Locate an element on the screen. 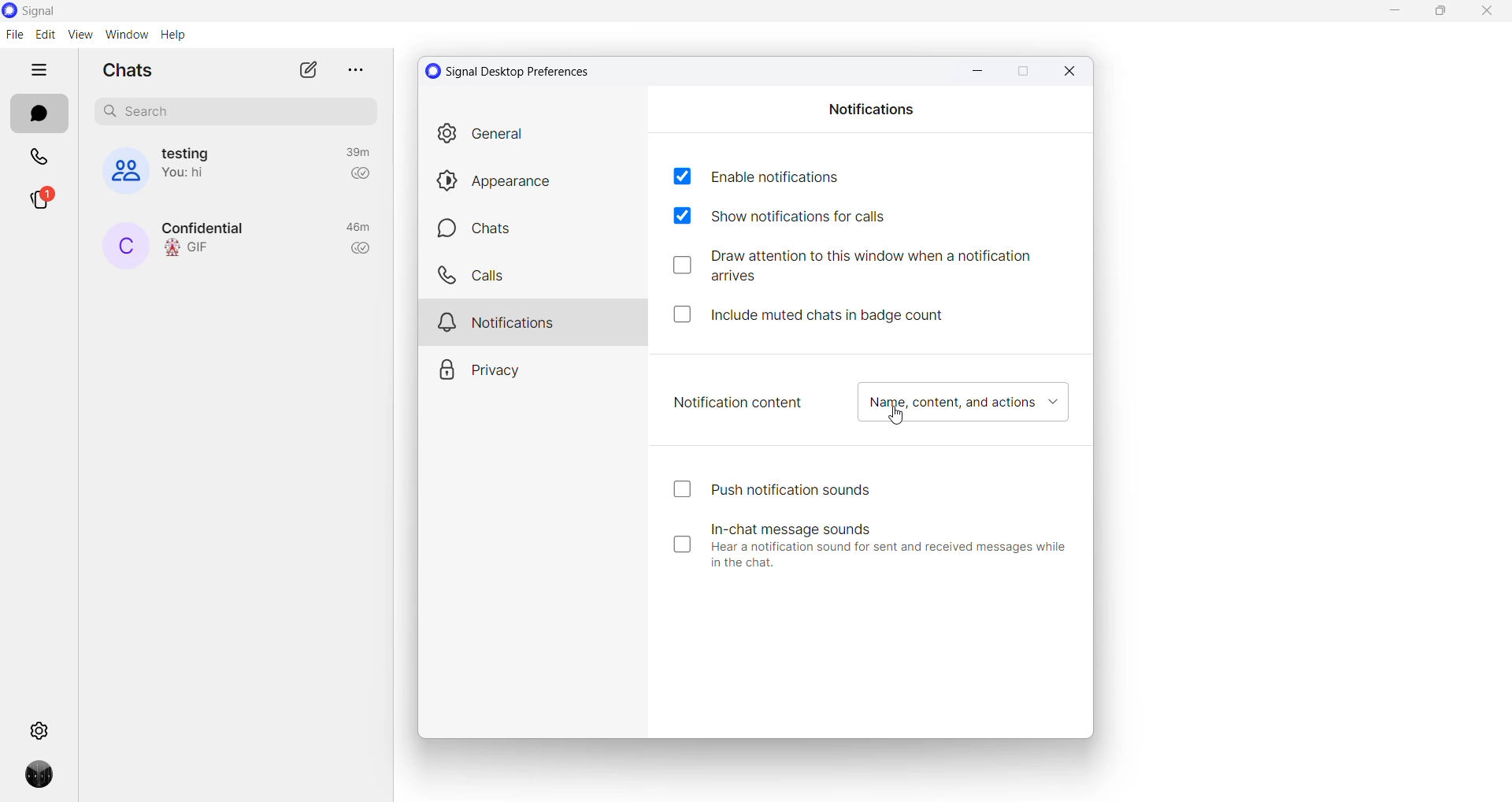  appearance is located at coordinates (537, 180).